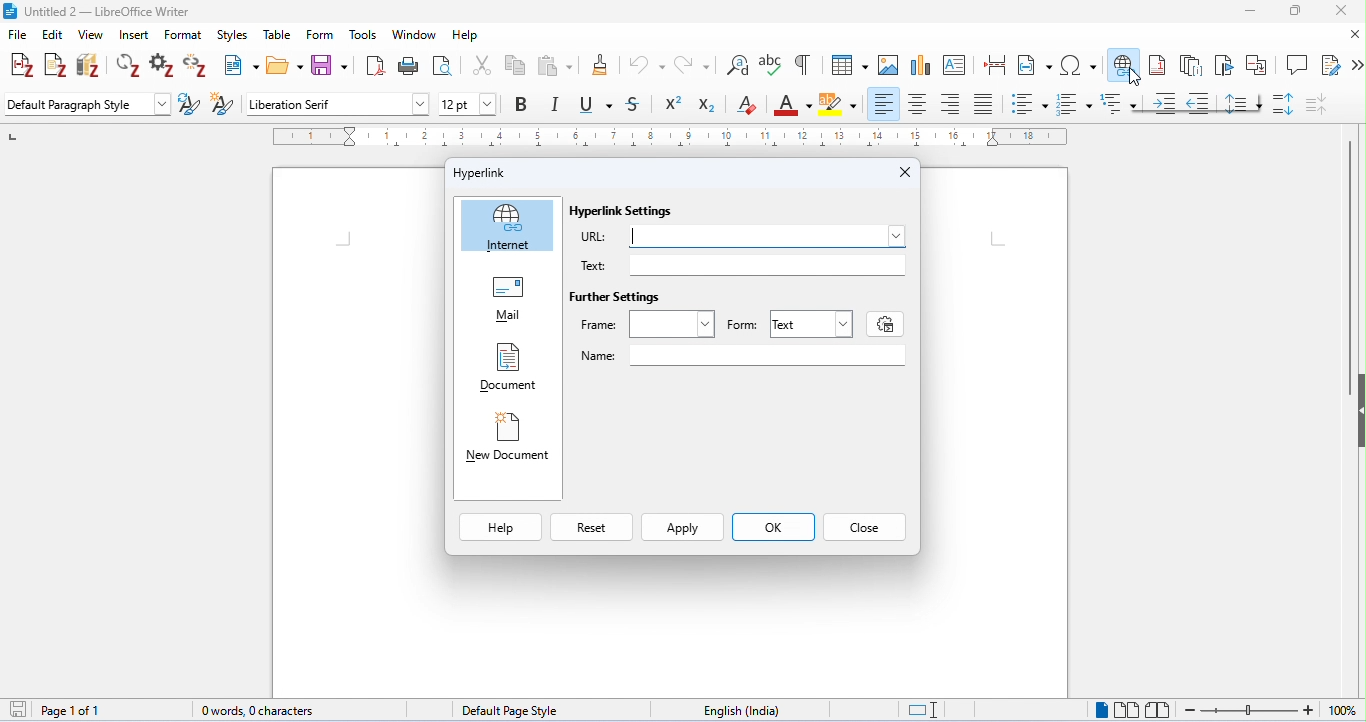  What do you see at coordinates (1159, 710) in the screenshot?
I see `book view` at bounding box center [1159, 710].